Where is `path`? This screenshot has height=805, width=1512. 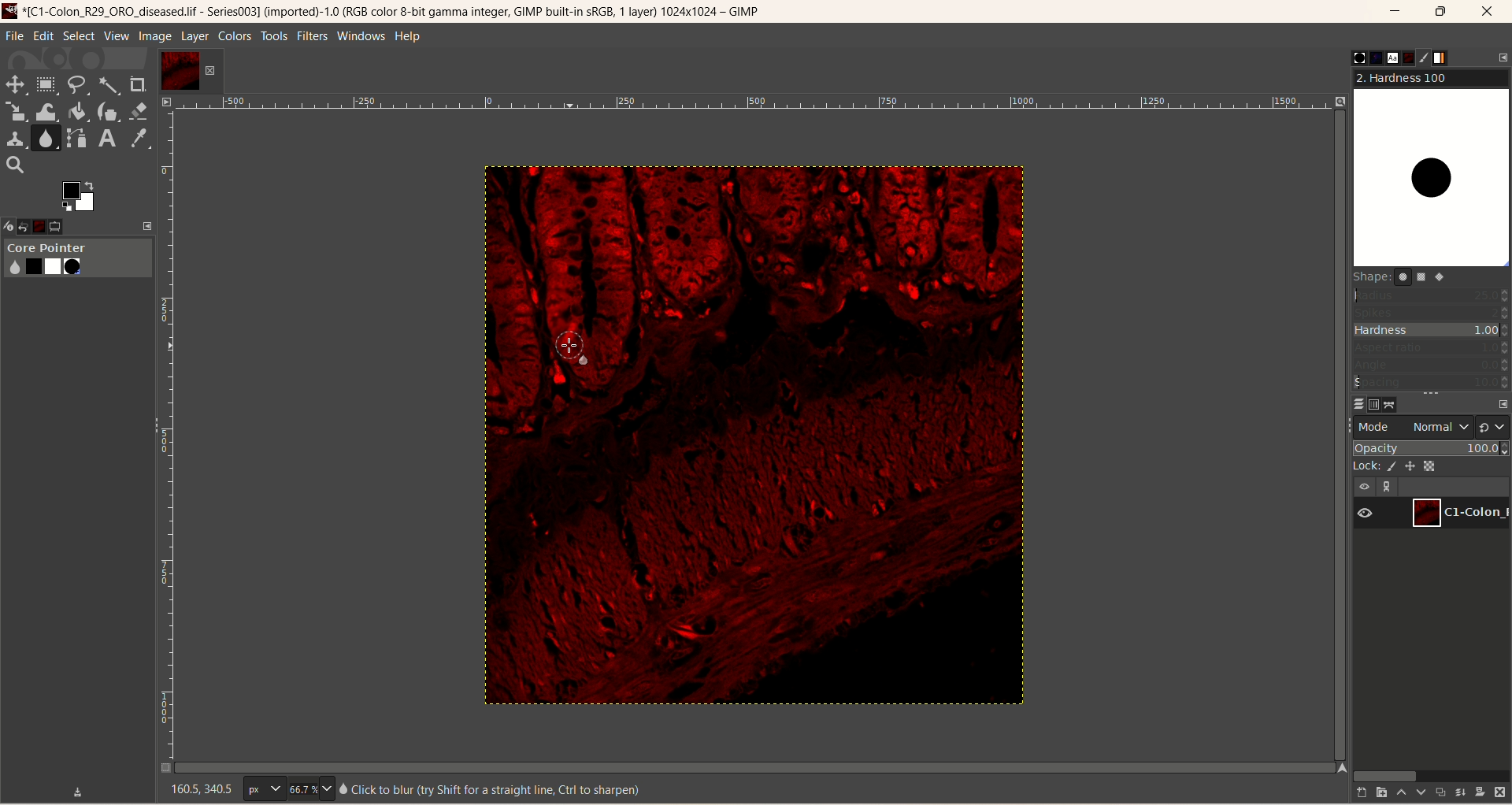
path is located at coordinates (1393, 404).